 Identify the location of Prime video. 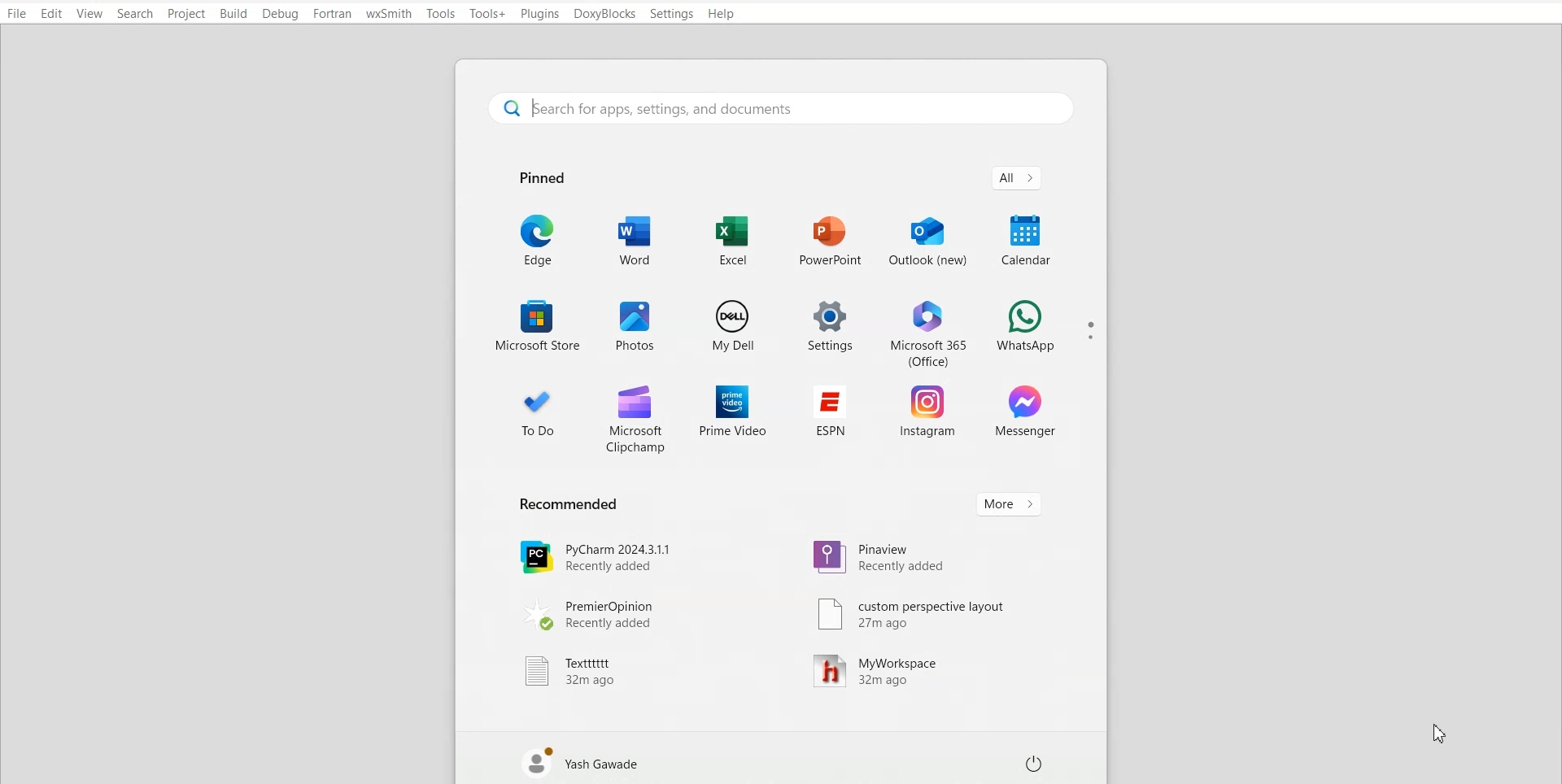
(734, 411).